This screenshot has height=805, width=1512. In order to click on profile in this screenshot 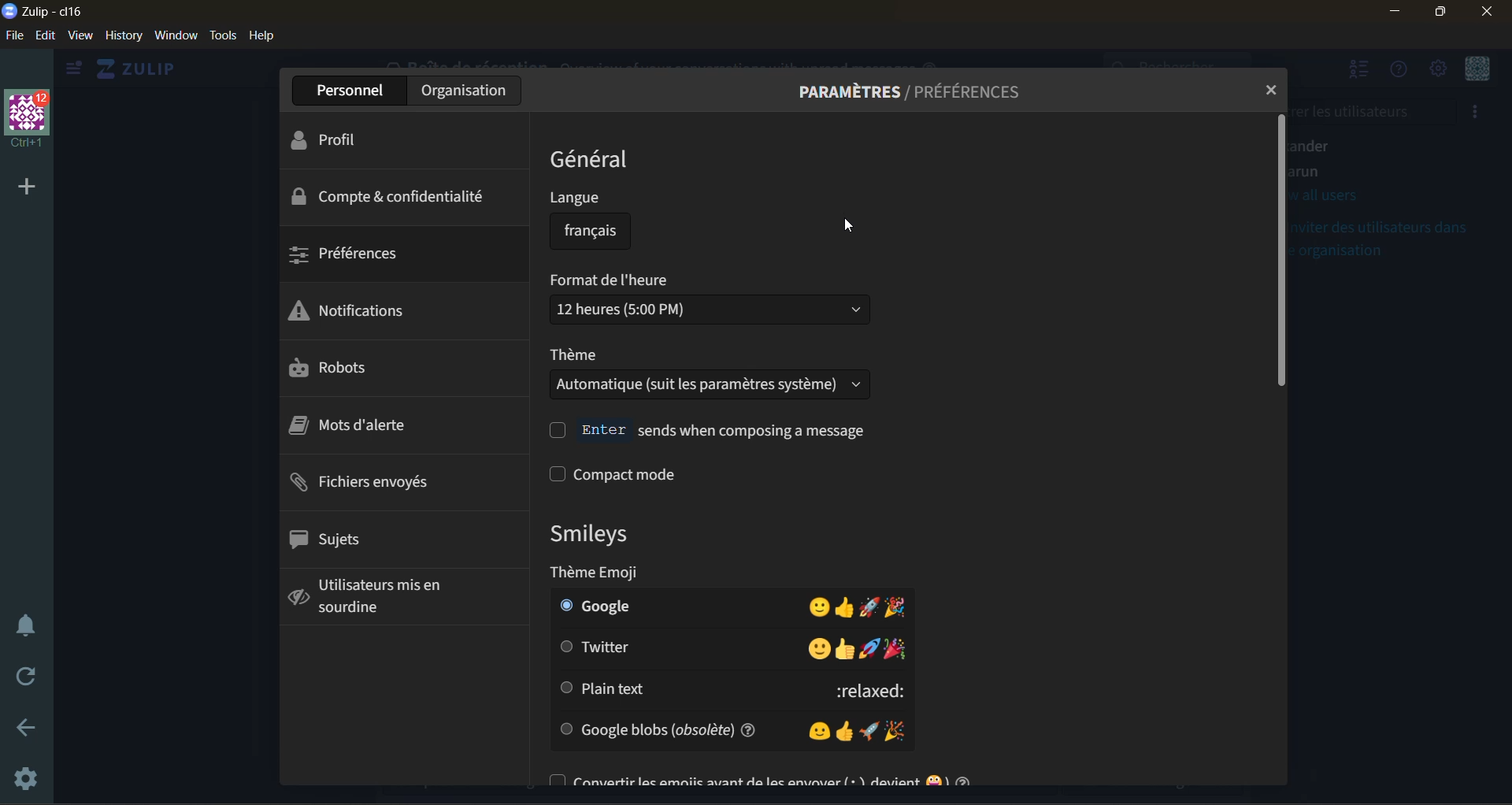, I will do `click(350, 135)`.